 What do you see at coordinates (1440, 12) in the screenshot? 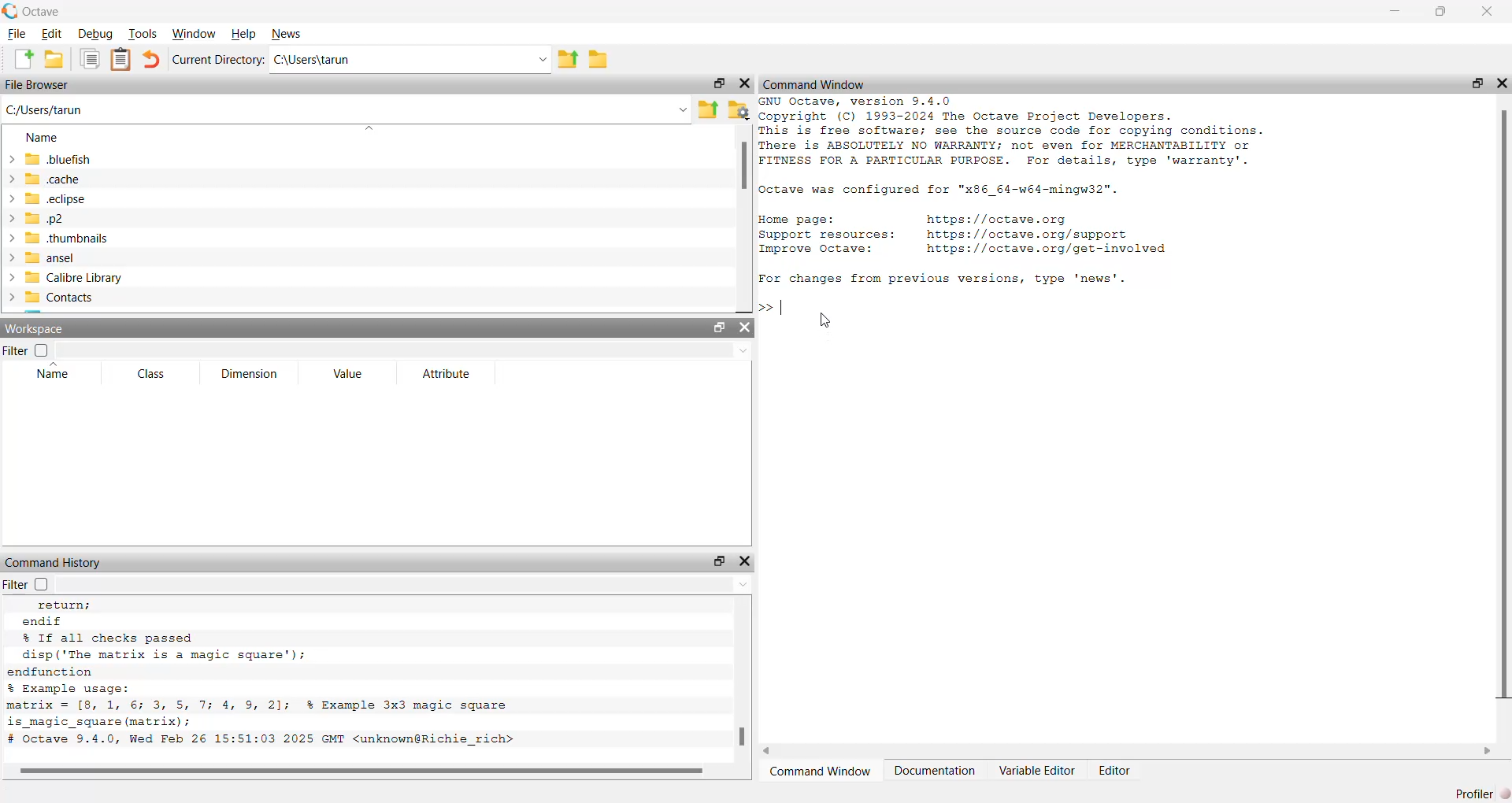
I see `maximize` at bounding box center [1440, 12].